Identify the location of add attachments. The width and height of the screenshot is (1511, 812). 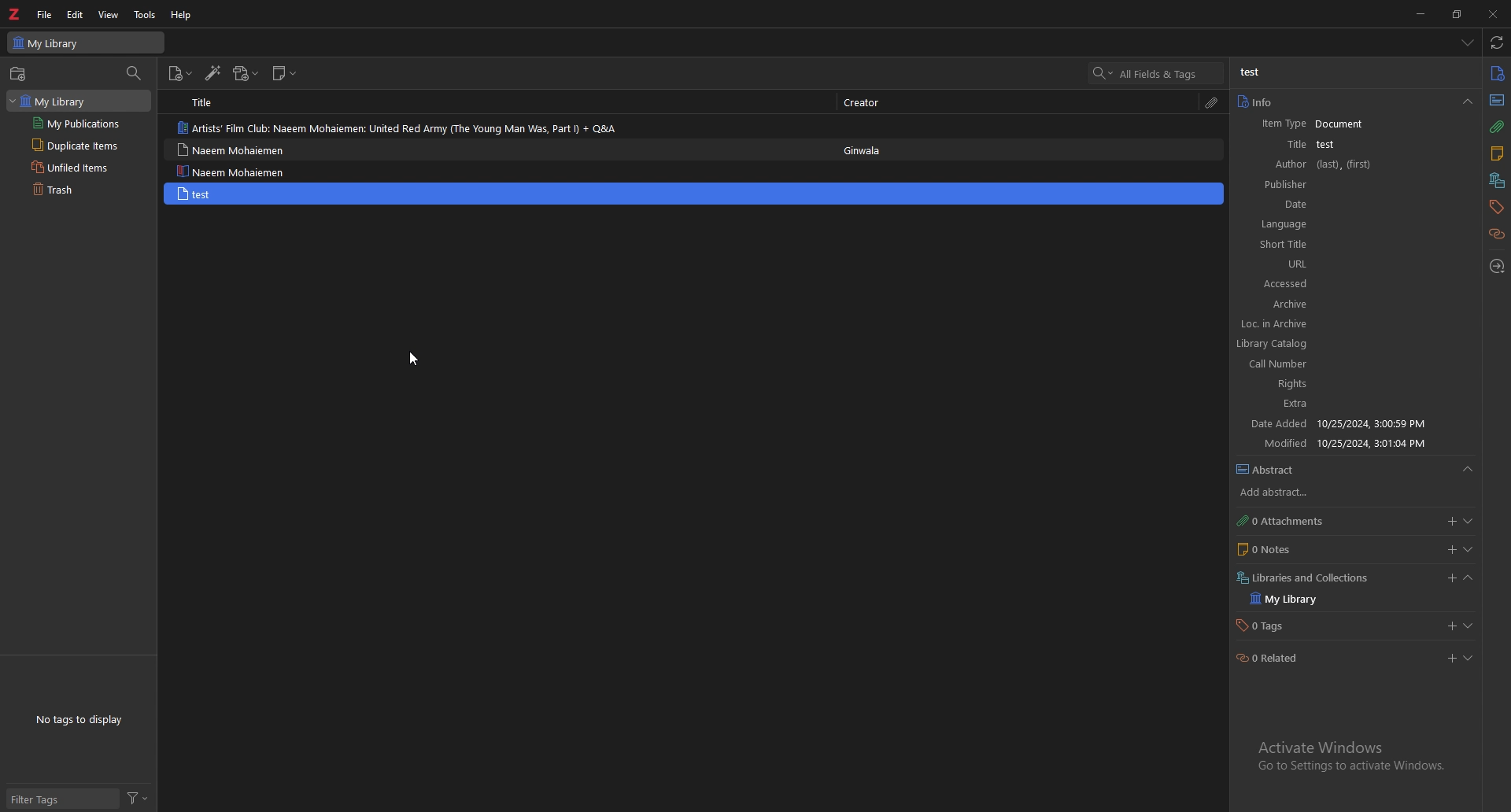
(1450, 522).